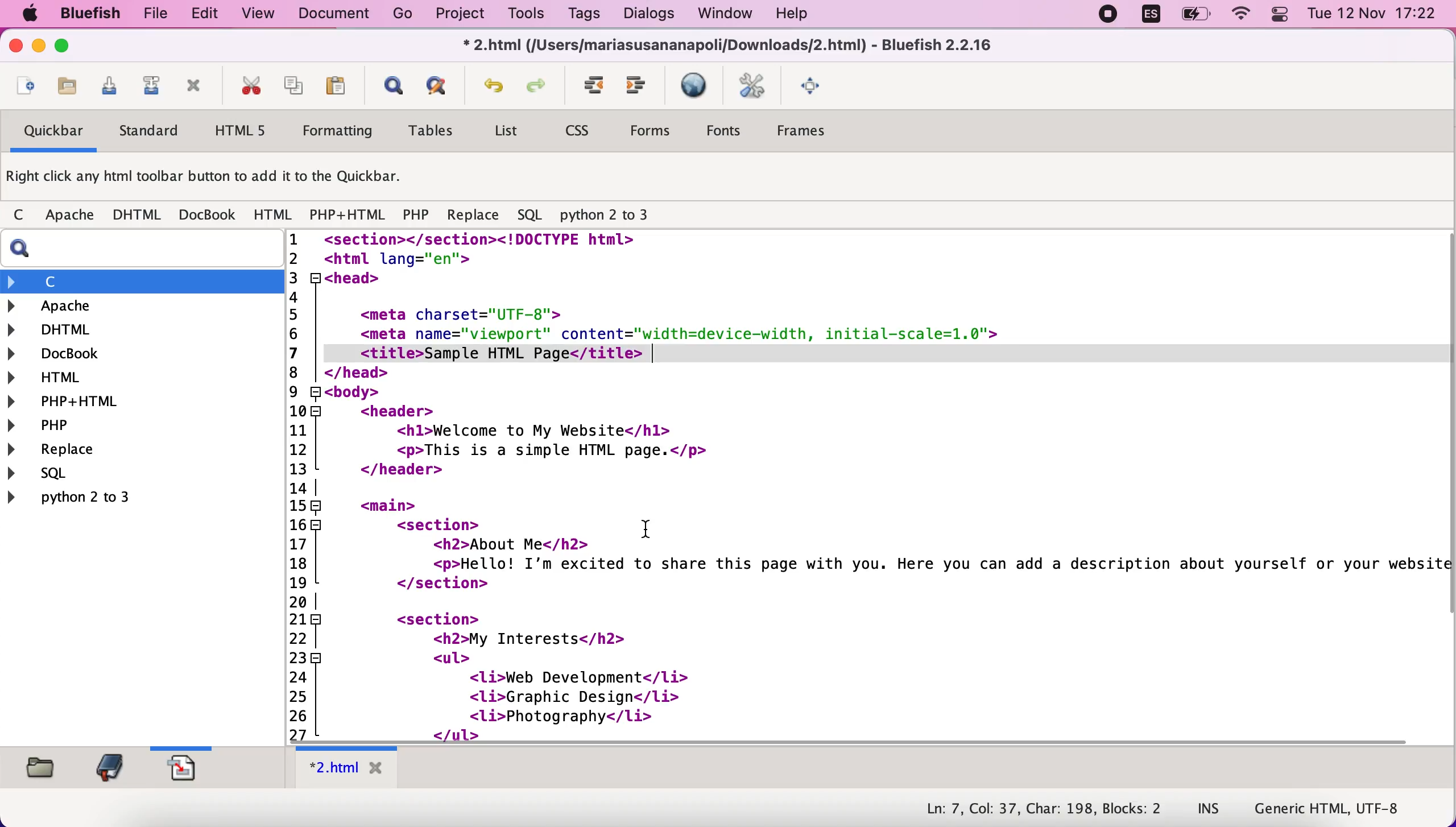 The height and width of the screenshot is (827, 1456). I want to click on Ln: 7, Col: 37, Char: 198, Blocks: 2, so click(1040, 808).